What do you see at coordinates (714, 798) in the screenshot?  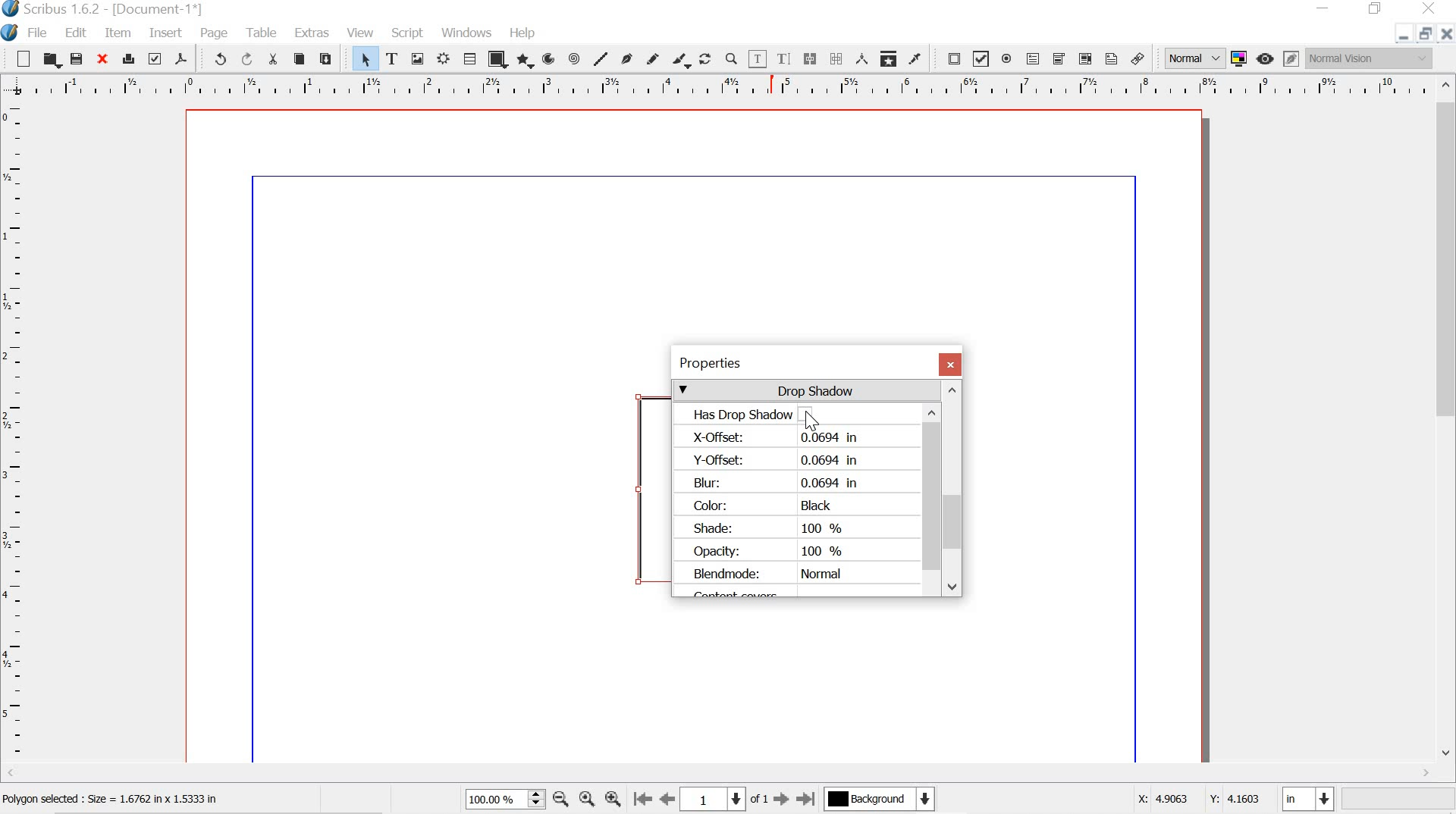 I see `1` at bounding box center [714, 798].